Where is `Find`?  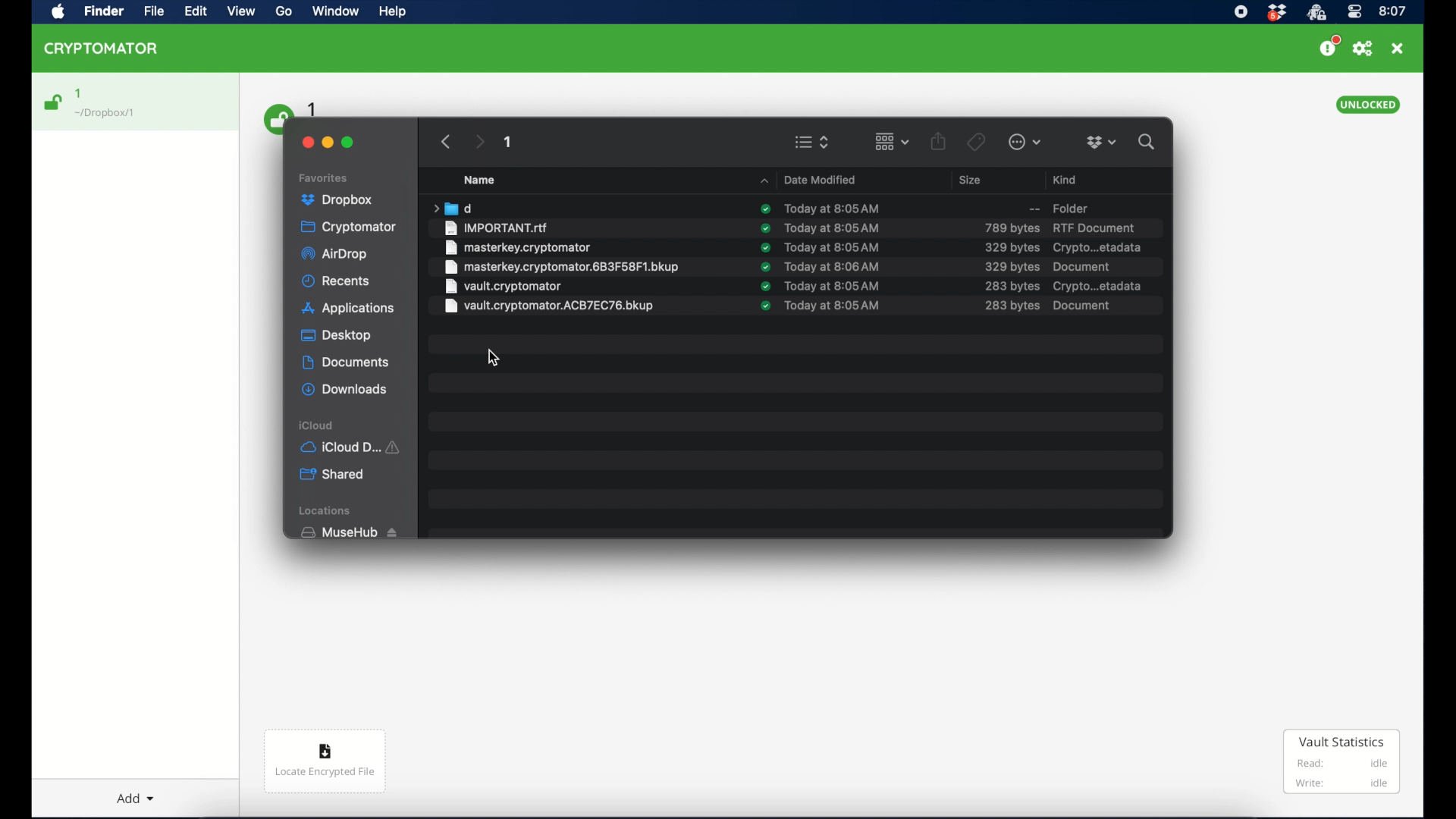 Find is located at coordinates (107, 12).